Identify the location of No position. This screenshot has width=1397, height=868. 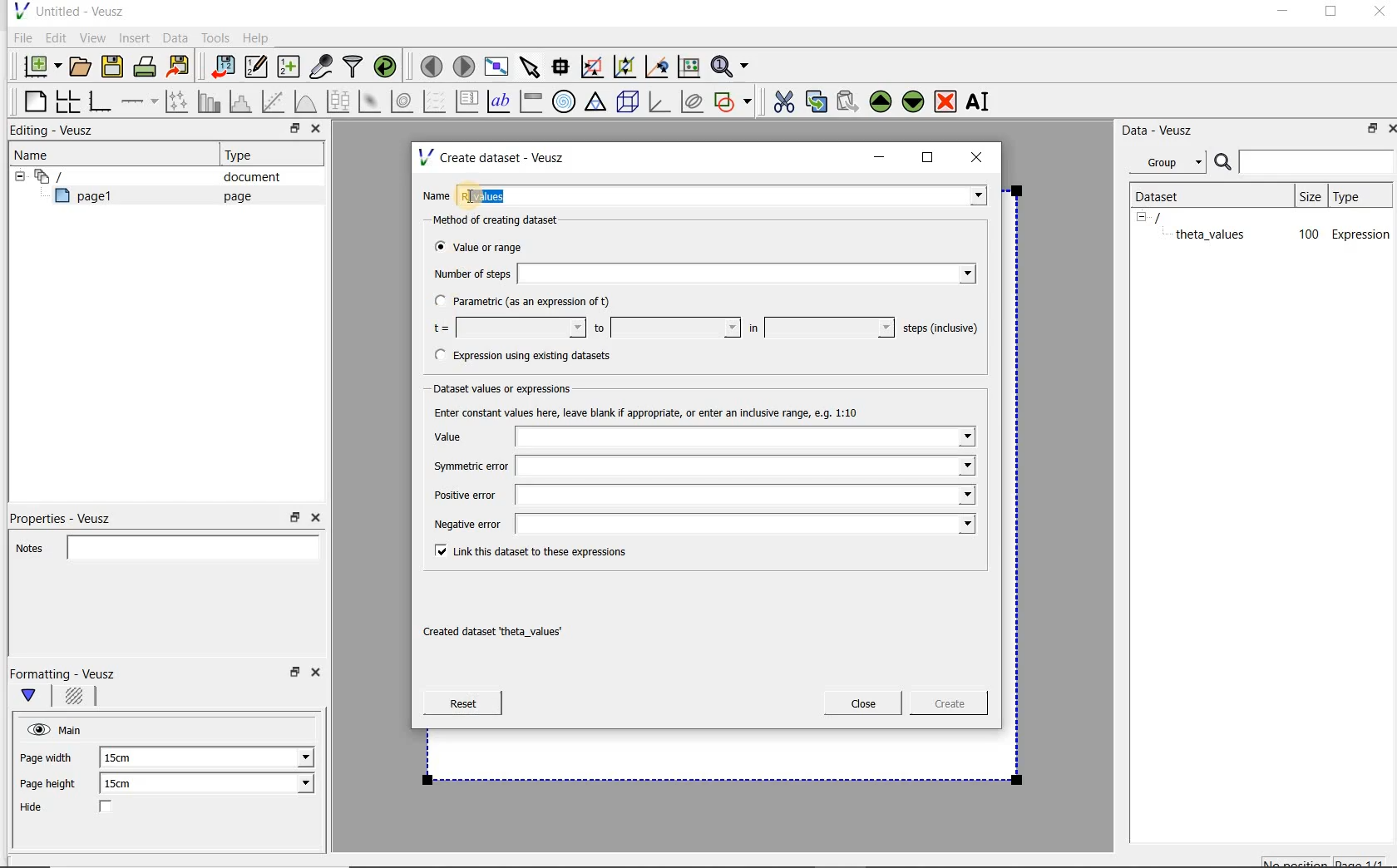
(1297, 861).